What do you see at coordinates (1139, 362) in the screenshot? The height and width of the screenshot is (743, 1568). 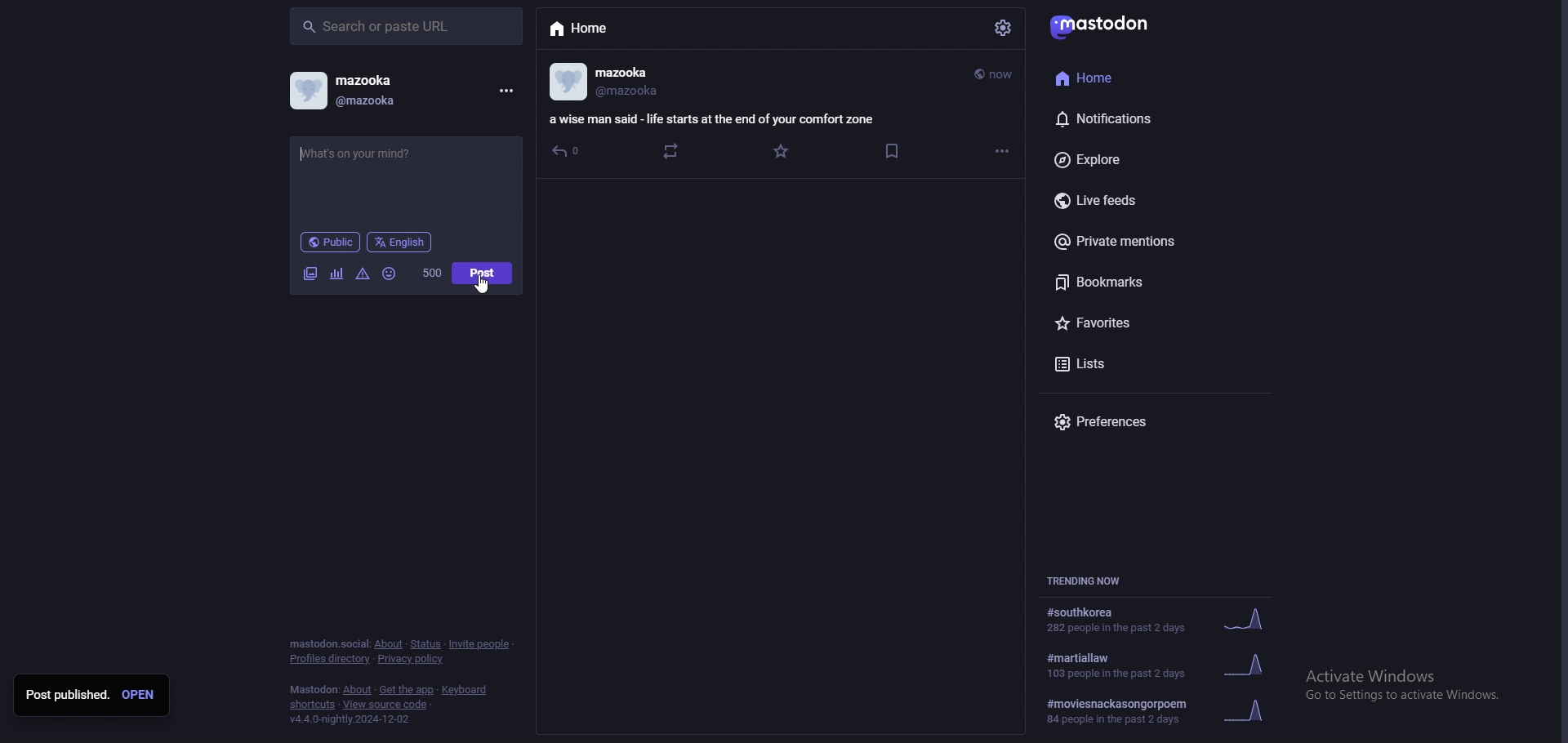 I see `lists` at bounding box center [1139, 362].